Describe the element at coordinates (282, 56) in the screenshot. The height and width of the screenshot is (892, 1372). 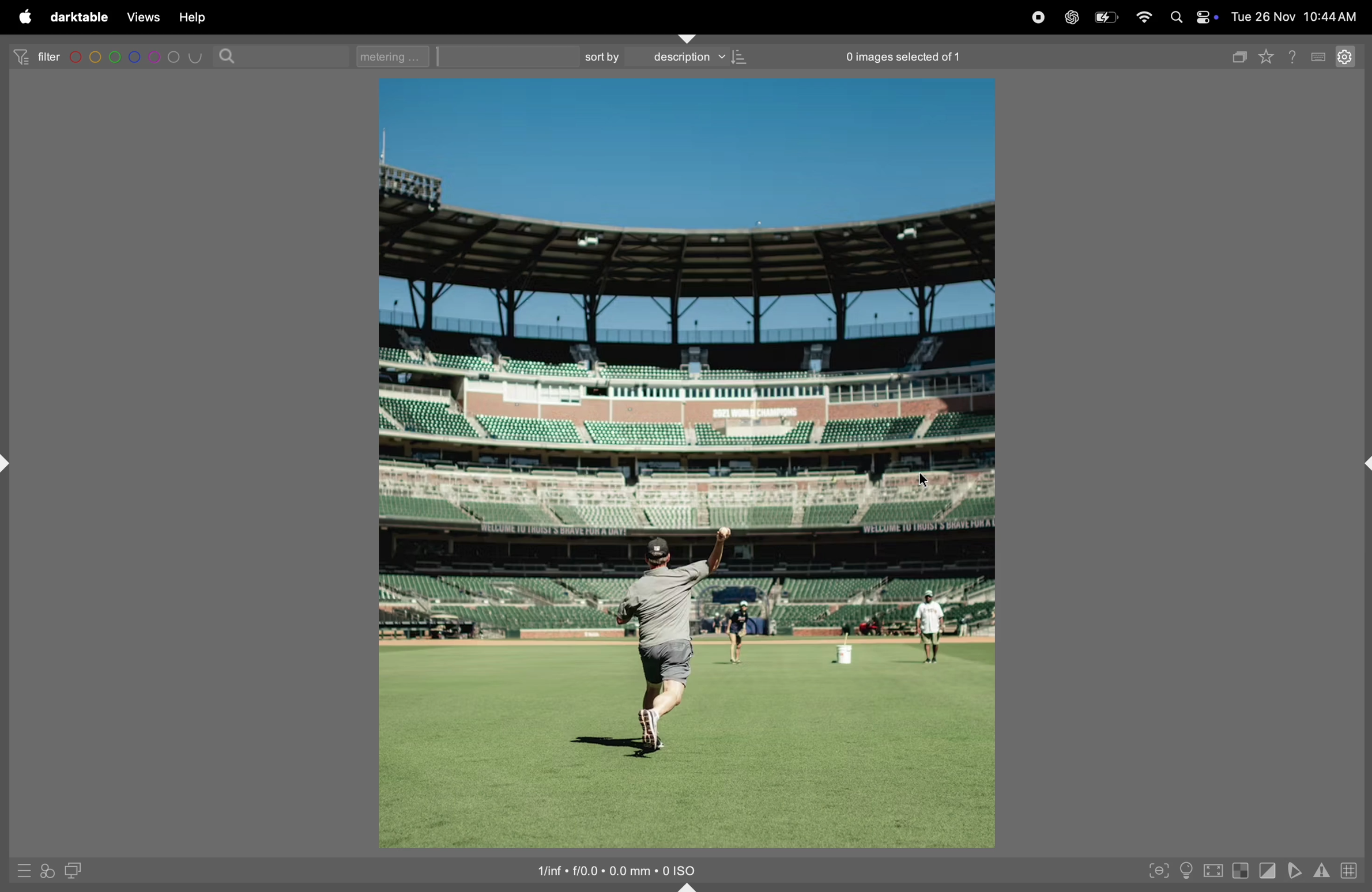
I see `search` at that location.